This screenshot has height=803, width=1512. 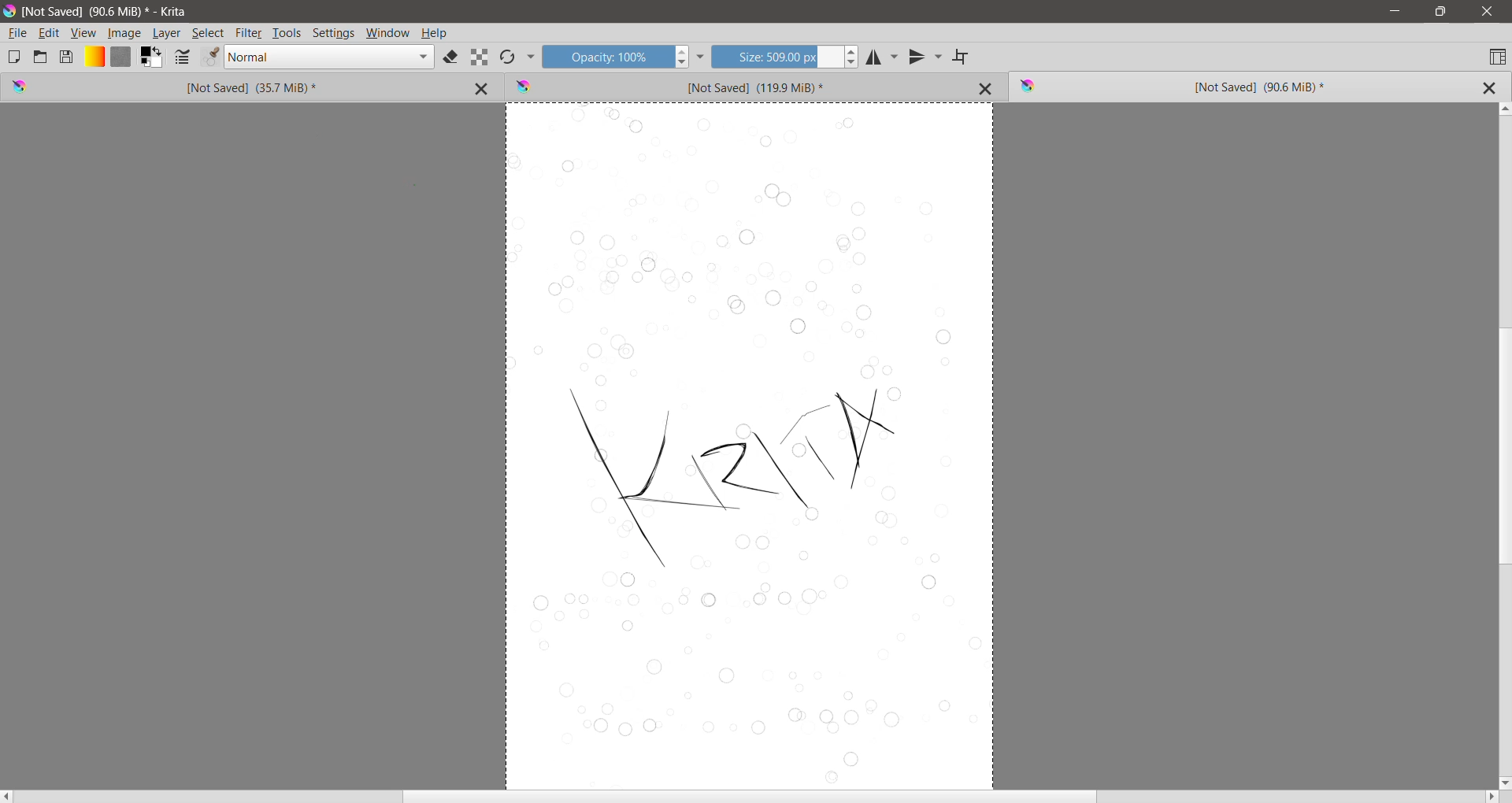 I want to click on File, so click(x=17, y=33).